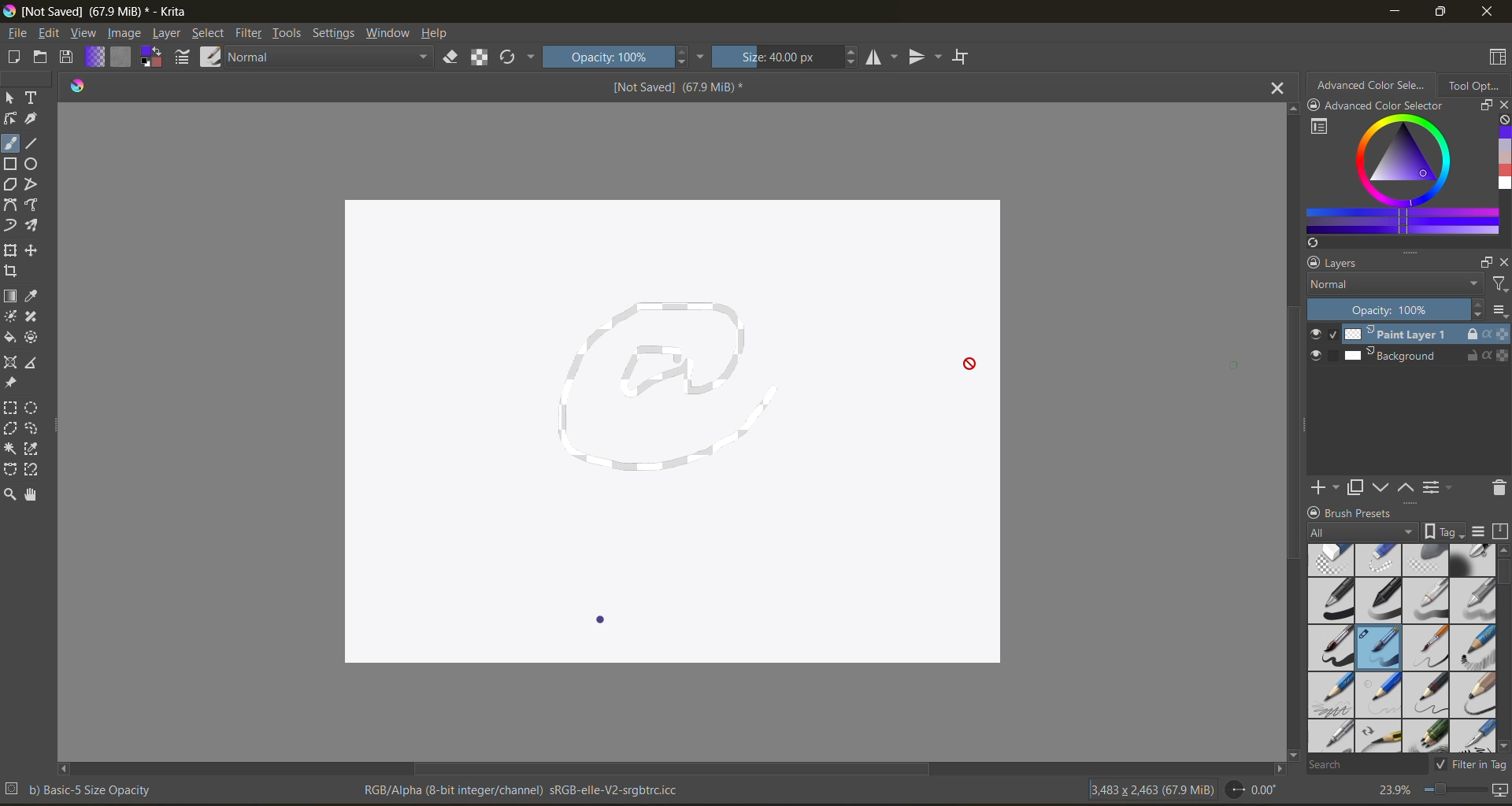  Describe the element at coordinates (1483, 261) in the screenshot. I see `float docker` at that location.